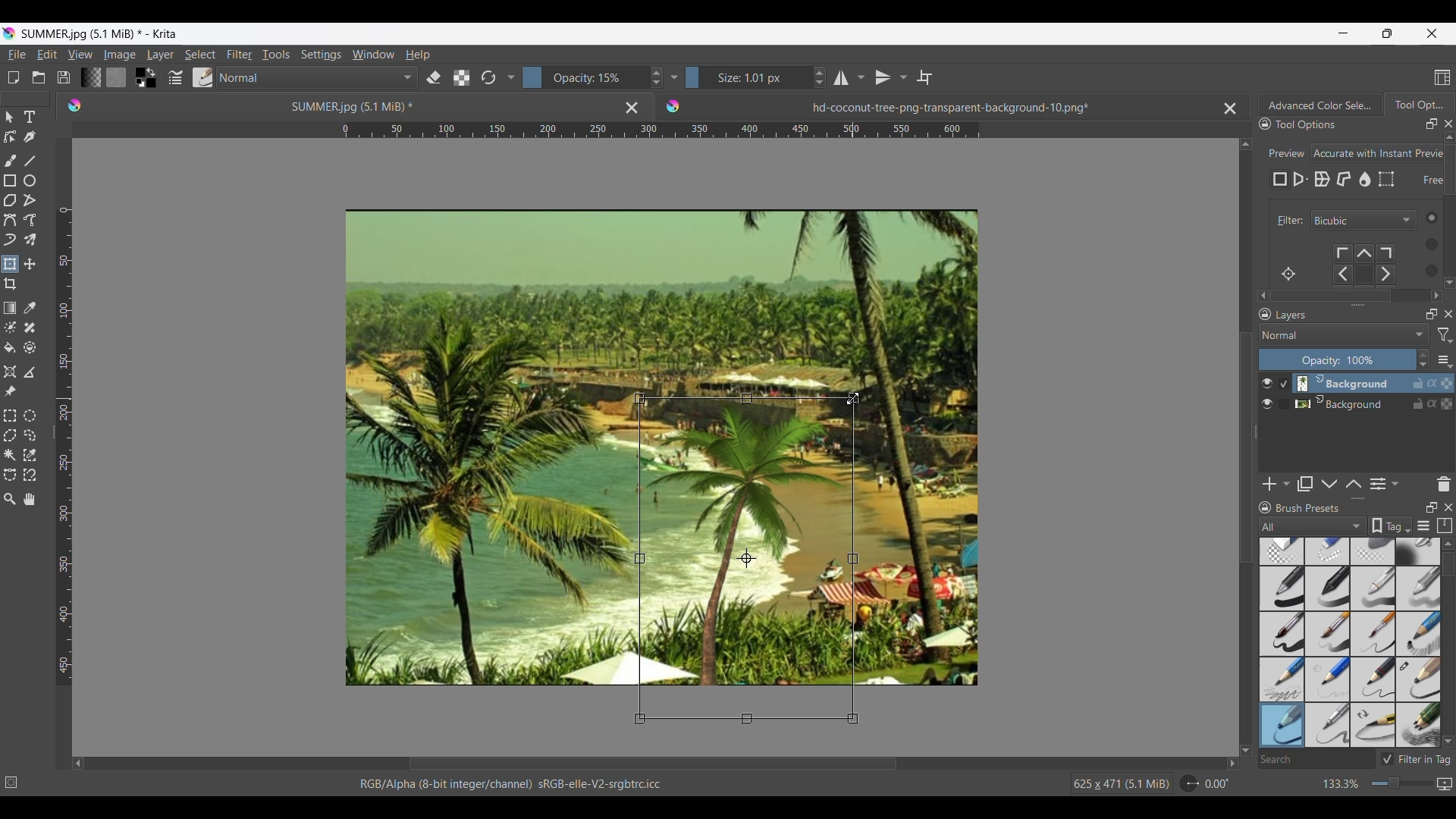 This screenshot has height=819, width=1456. Describe the element at coordinates (1246, 741) in the screenshot. I see `Down` at that location.